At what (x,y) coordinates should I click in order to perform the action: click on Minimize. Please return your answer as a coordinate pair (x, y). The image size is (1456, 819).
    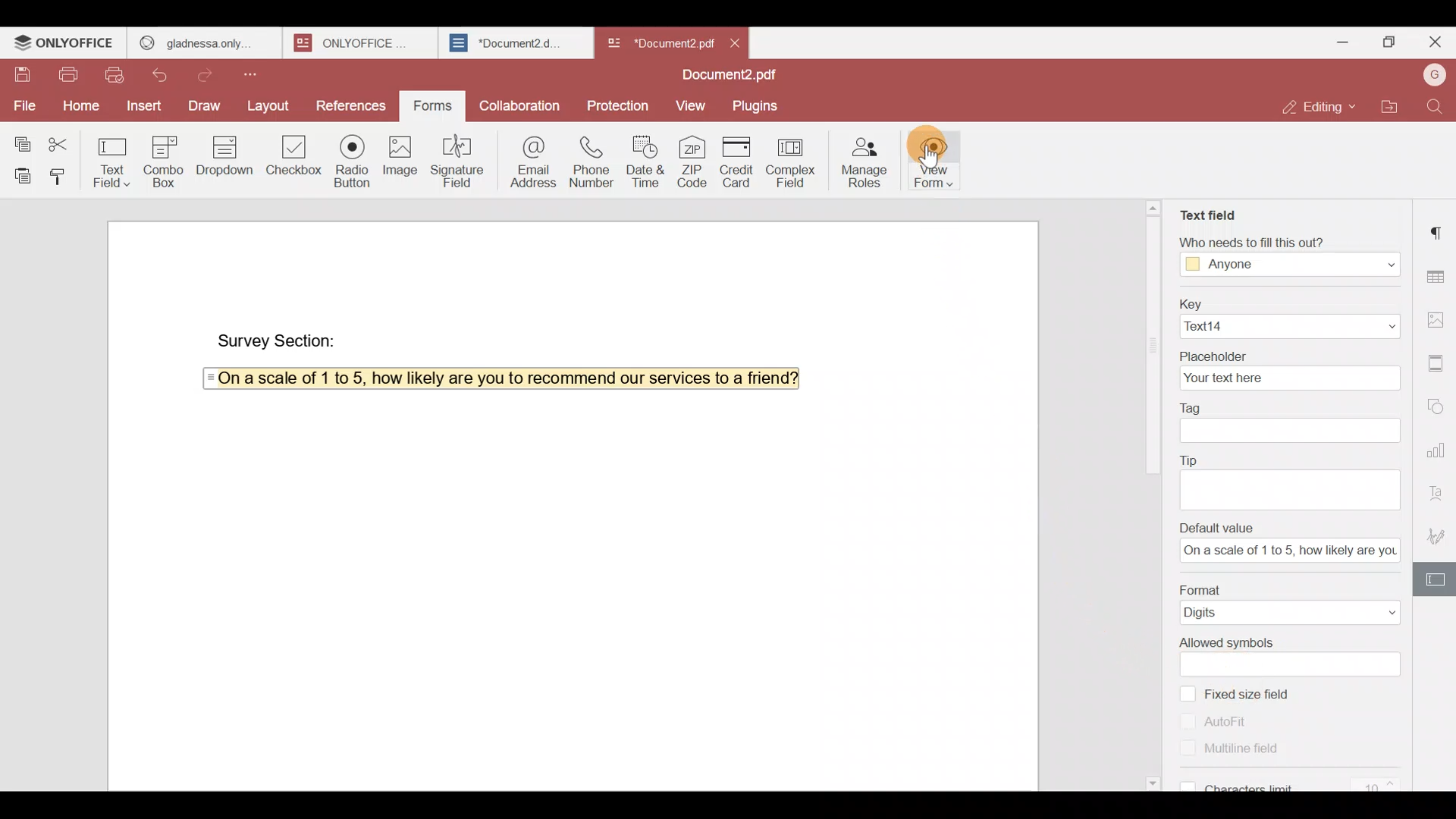
    Looking at the image, I should click on (1348, 42).